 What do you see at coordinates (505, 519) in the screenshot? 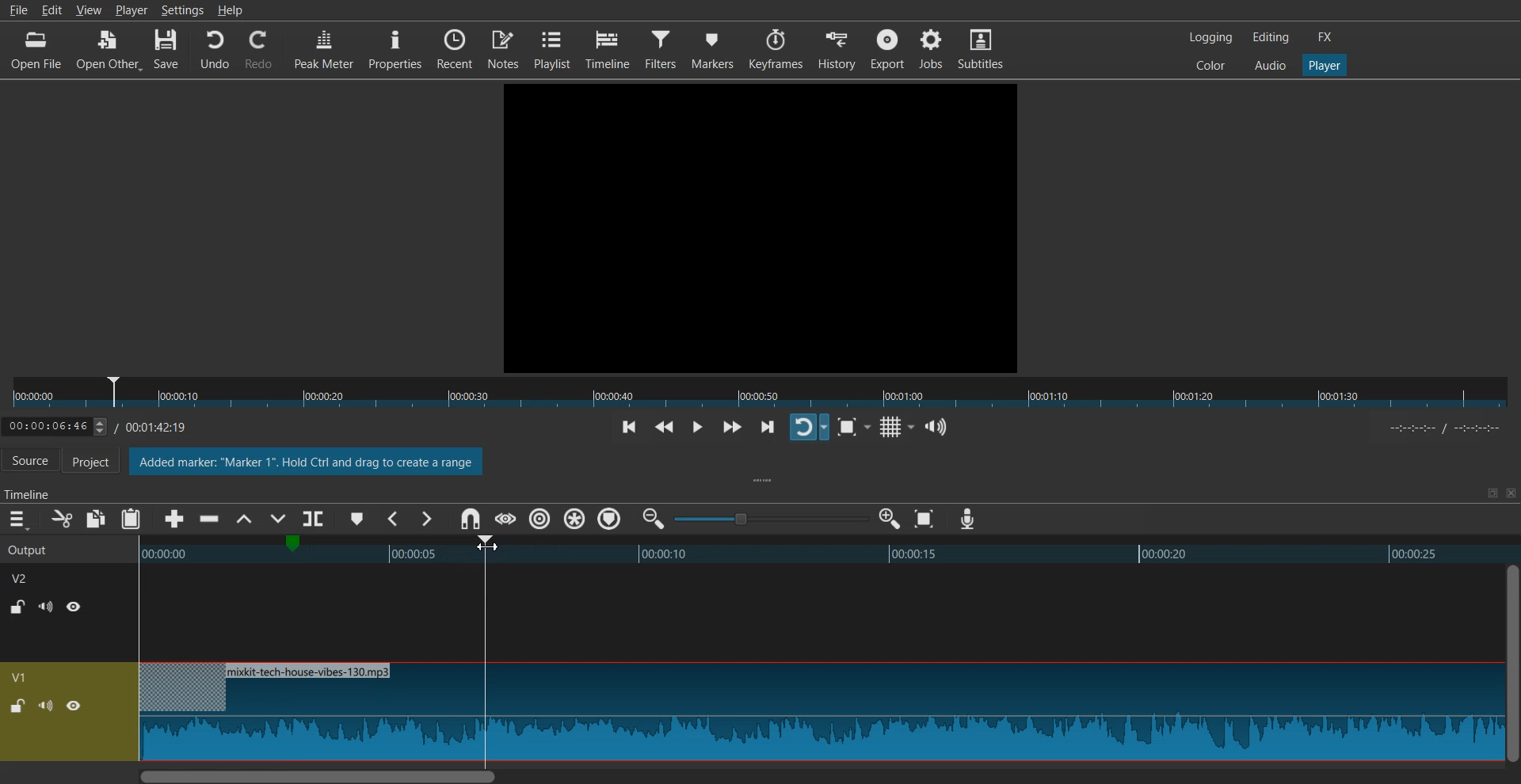
I see `Scrub while dragging` at bounding box center [505, 519].